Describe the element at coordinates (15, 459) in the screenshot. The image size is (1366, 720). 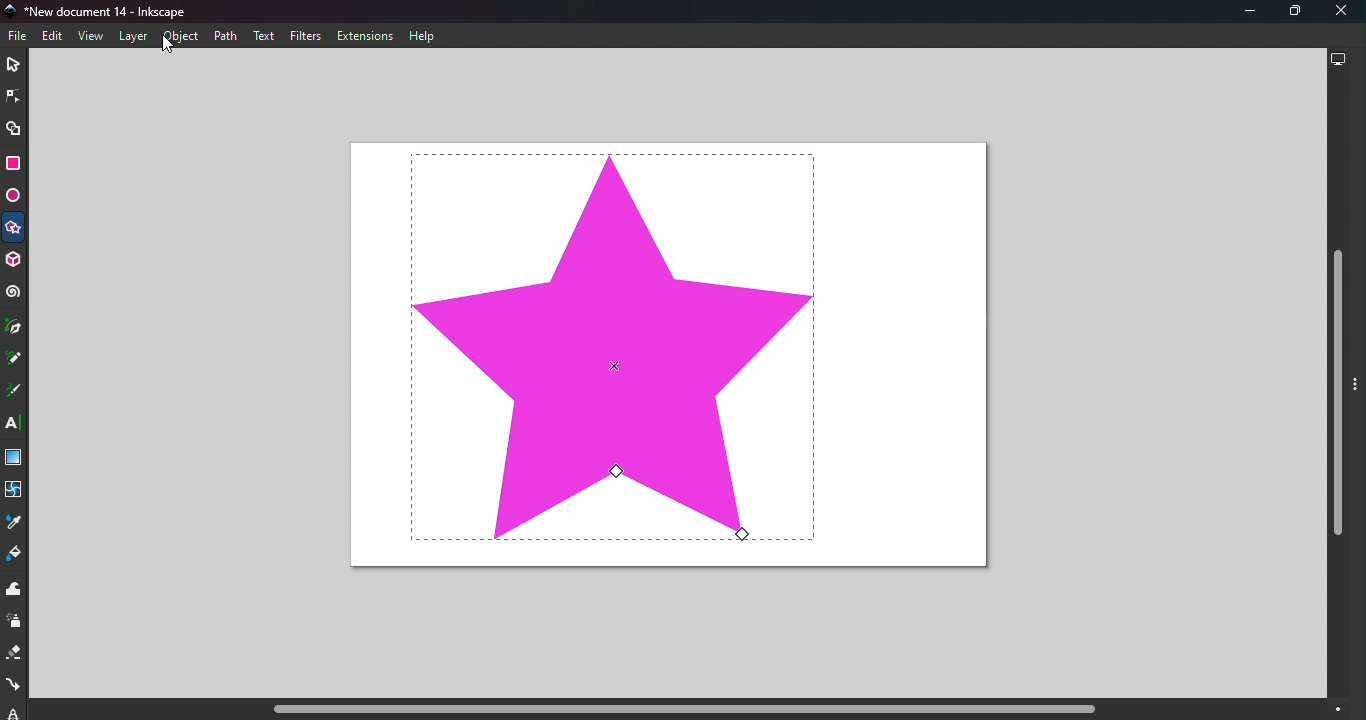
I see `Gradient tool` at that location.